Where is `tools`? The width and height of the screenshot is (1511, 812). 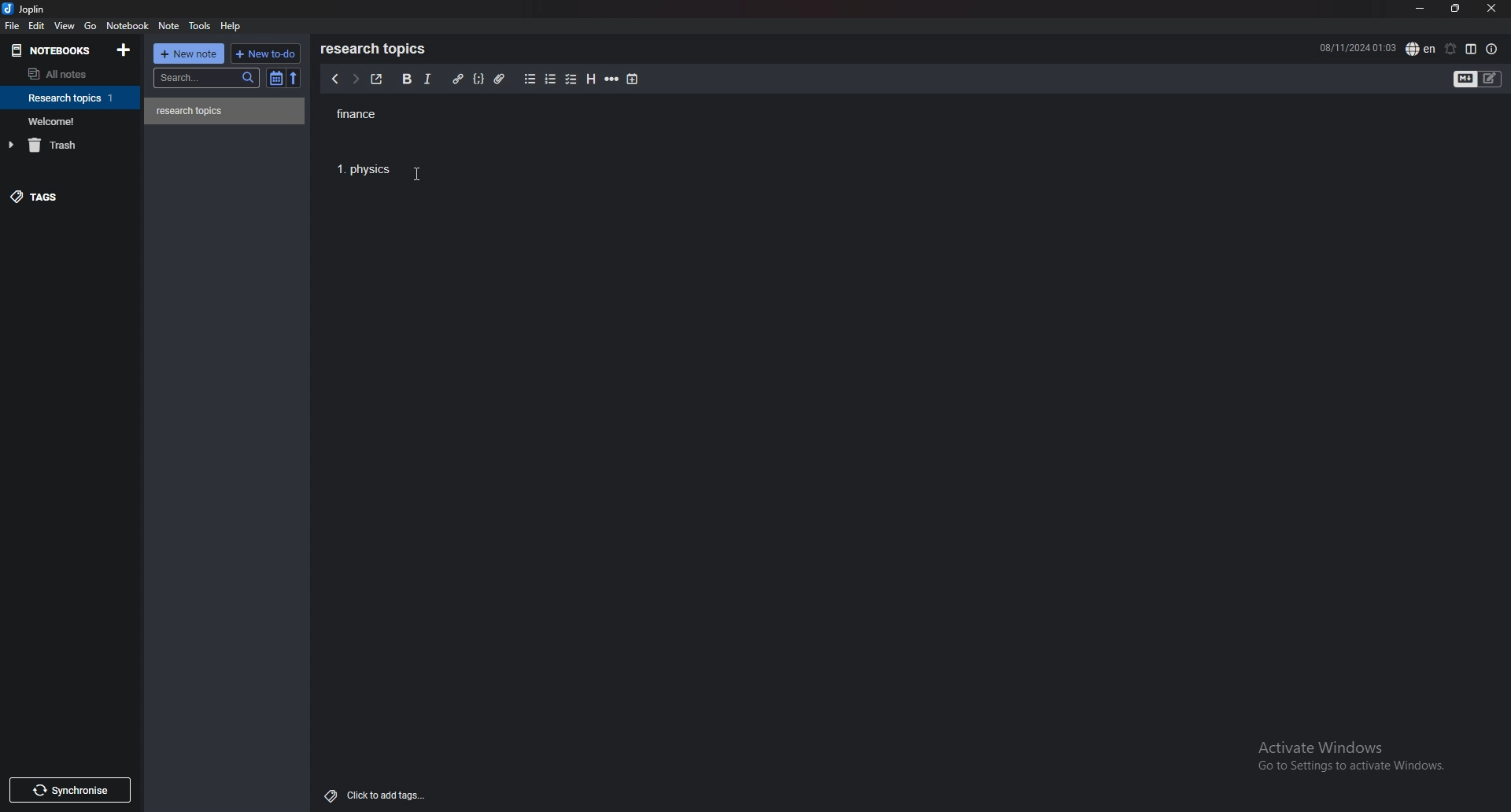 tools is located at coordinates (200, 26).